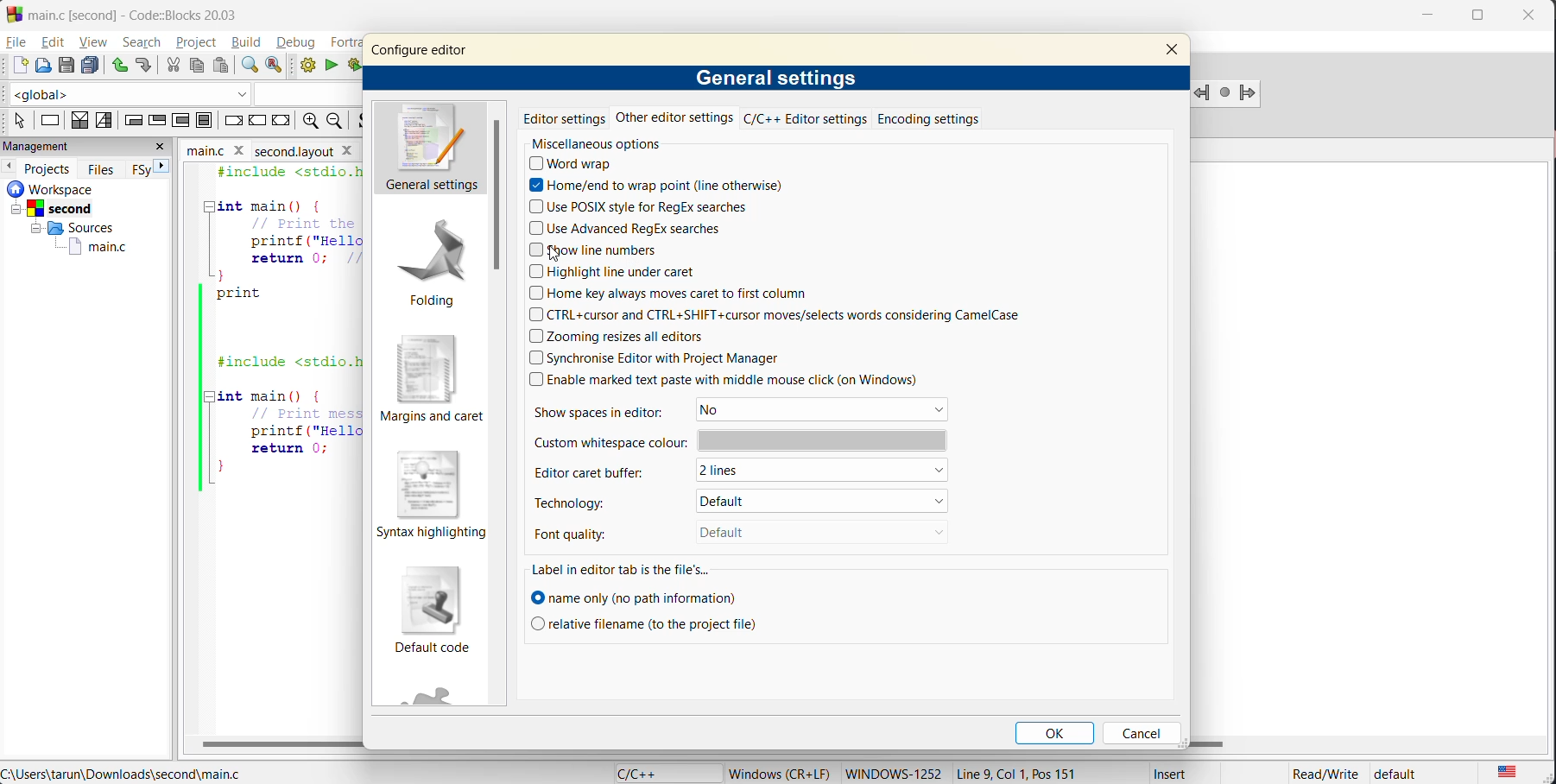 The width and height of the screenshot is (1556, 784). I want to click on build, so click(312, 68).